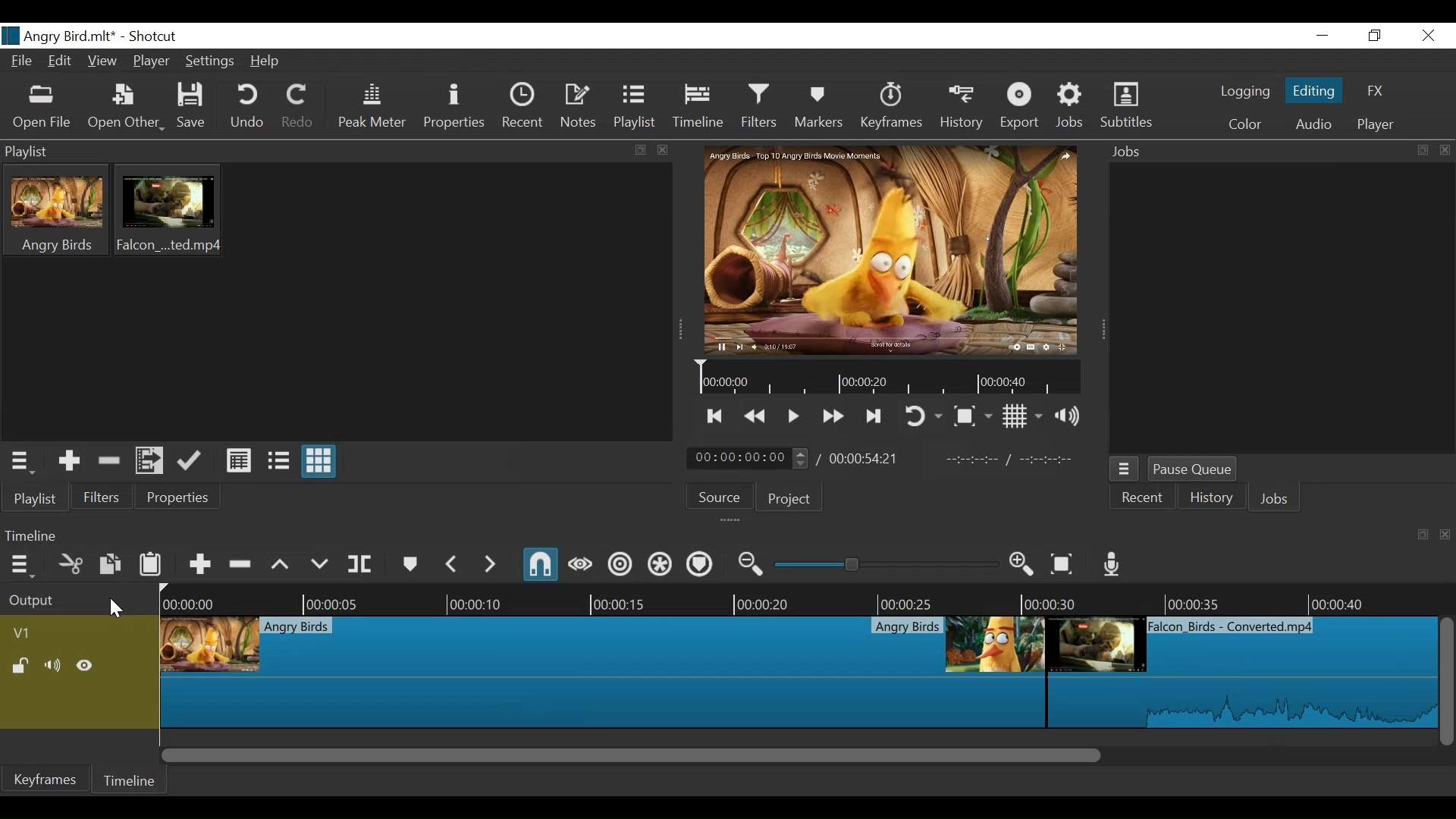 This screenshot has width=1456, height=819. Describe the element at coordinates (22, 61) in the screenshot. I see `File` at that location.